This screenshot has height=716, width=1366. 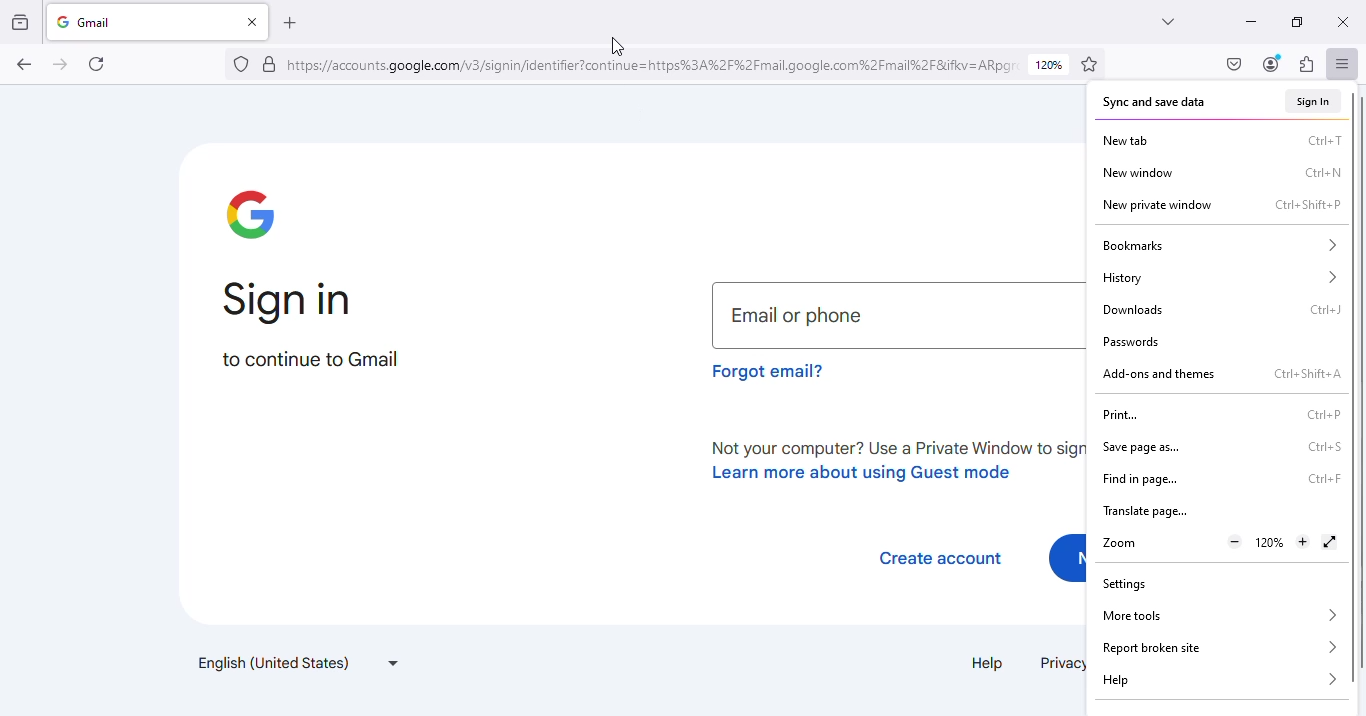 What do you see at coordinates (1270, 542) in the screenshot?
I see `zoomed out to 120%` at bounding box center [1270, 542].